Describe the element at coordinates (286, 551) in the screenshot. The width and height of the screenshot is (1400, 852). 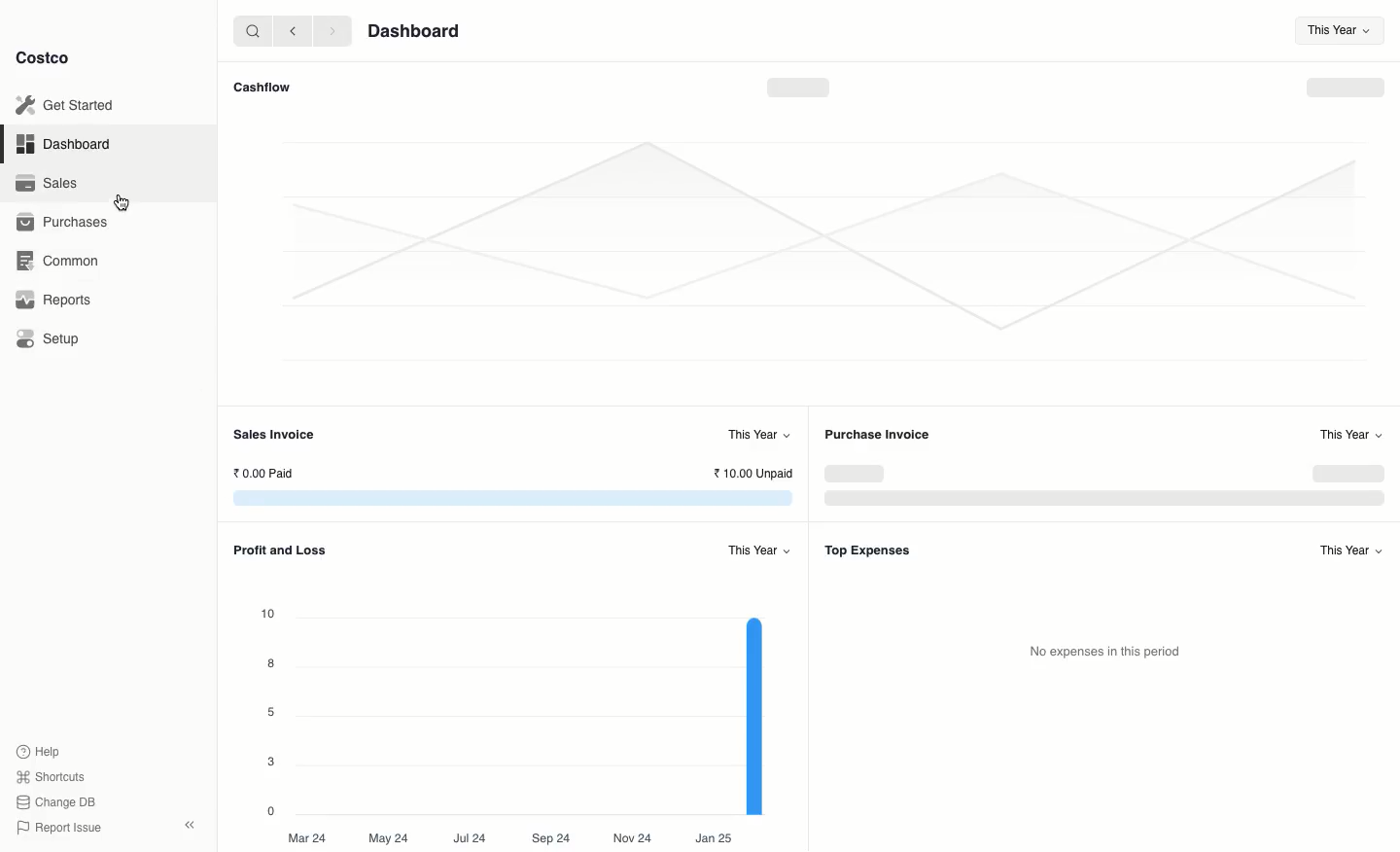
I see `Profit and Loss` at that location.